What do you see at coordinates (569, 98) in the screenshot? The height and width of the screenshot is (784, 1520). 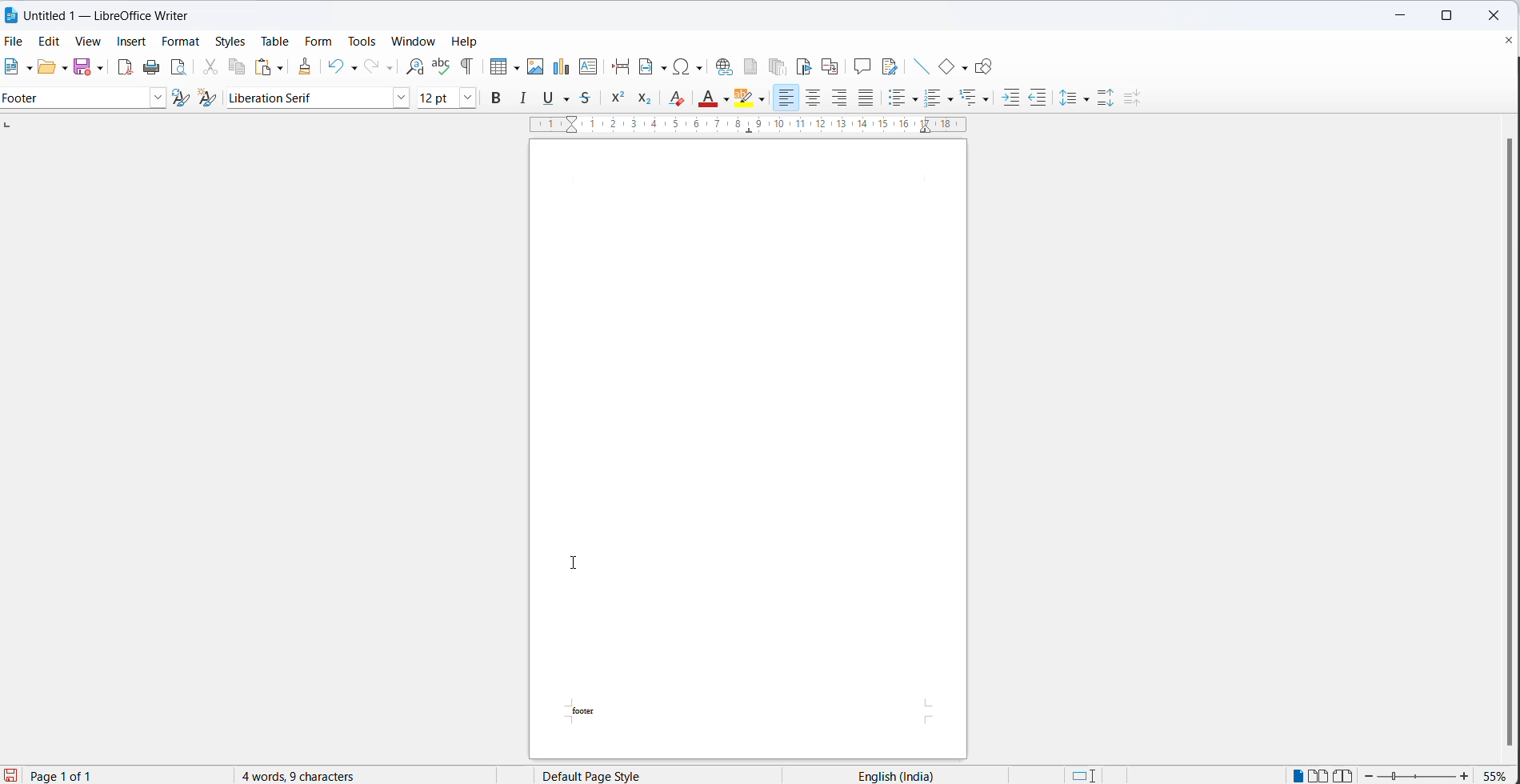 I see `strike through` at bounding box center [569, 98].